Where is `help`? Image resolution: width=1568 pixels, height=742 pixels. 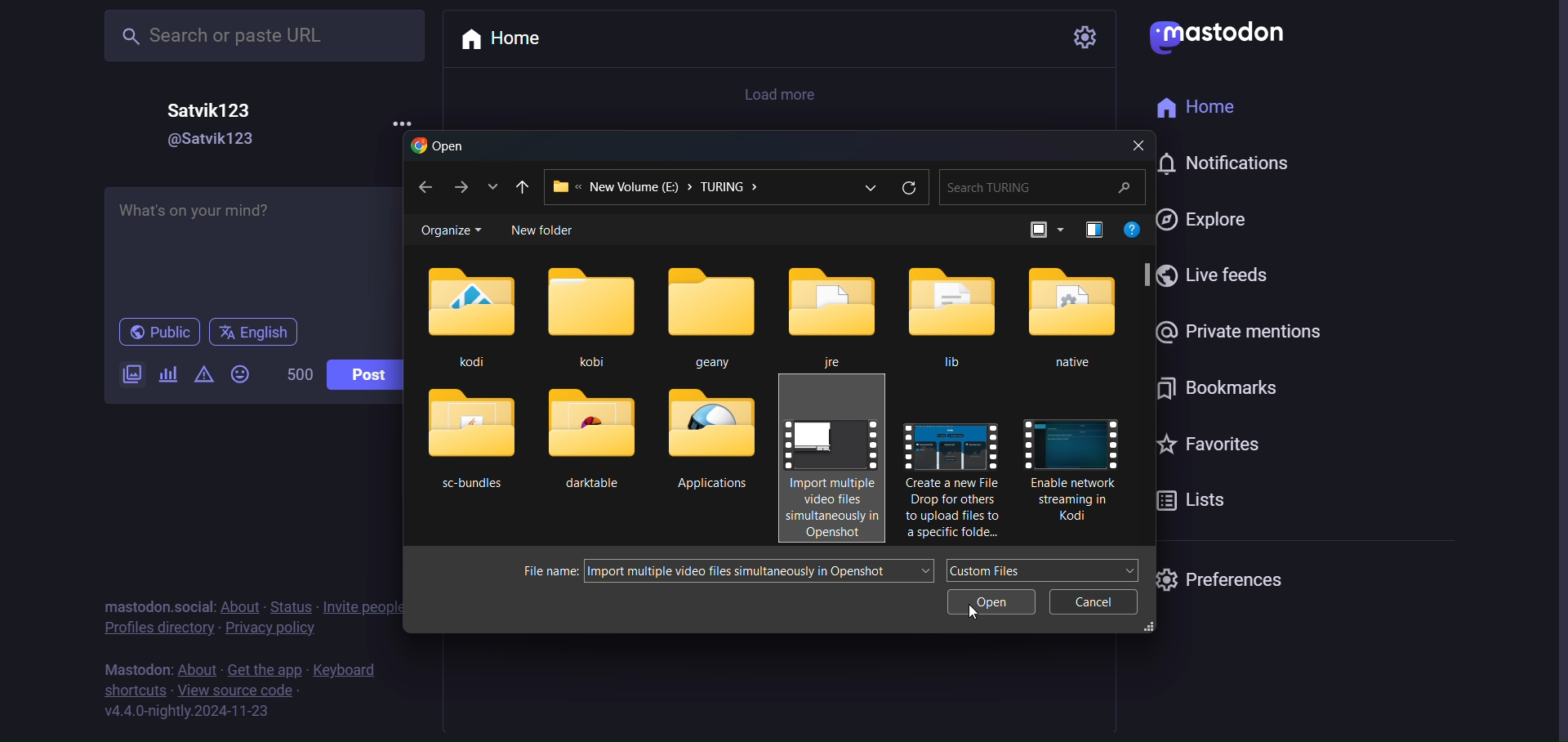
help is located at coordinates (1135, 230).